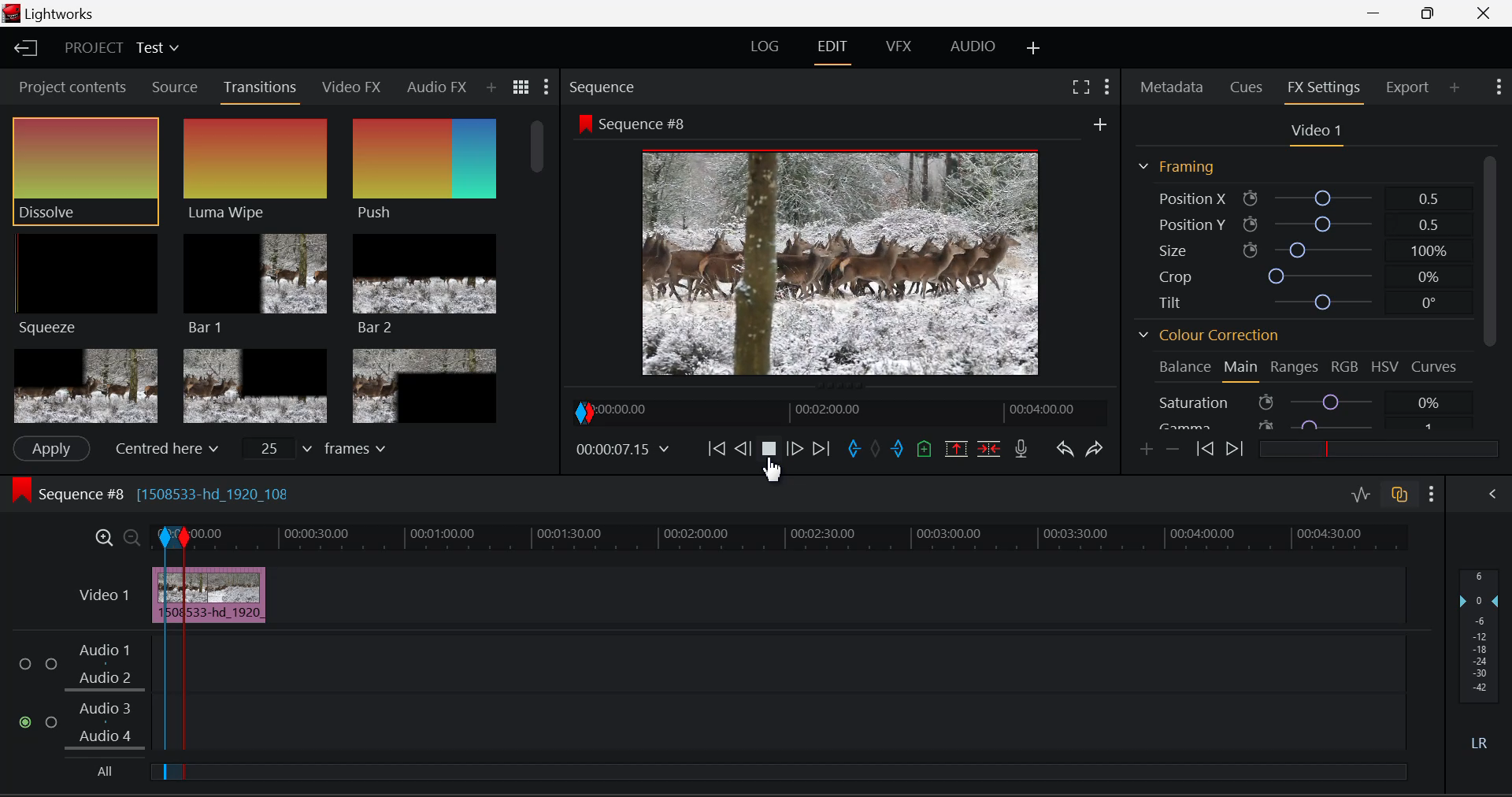 This screenshot has width=1512, height=797. Describe the element at coordinates (1327, 89) in the screenshot. I see `FX Settings Open` at that location.